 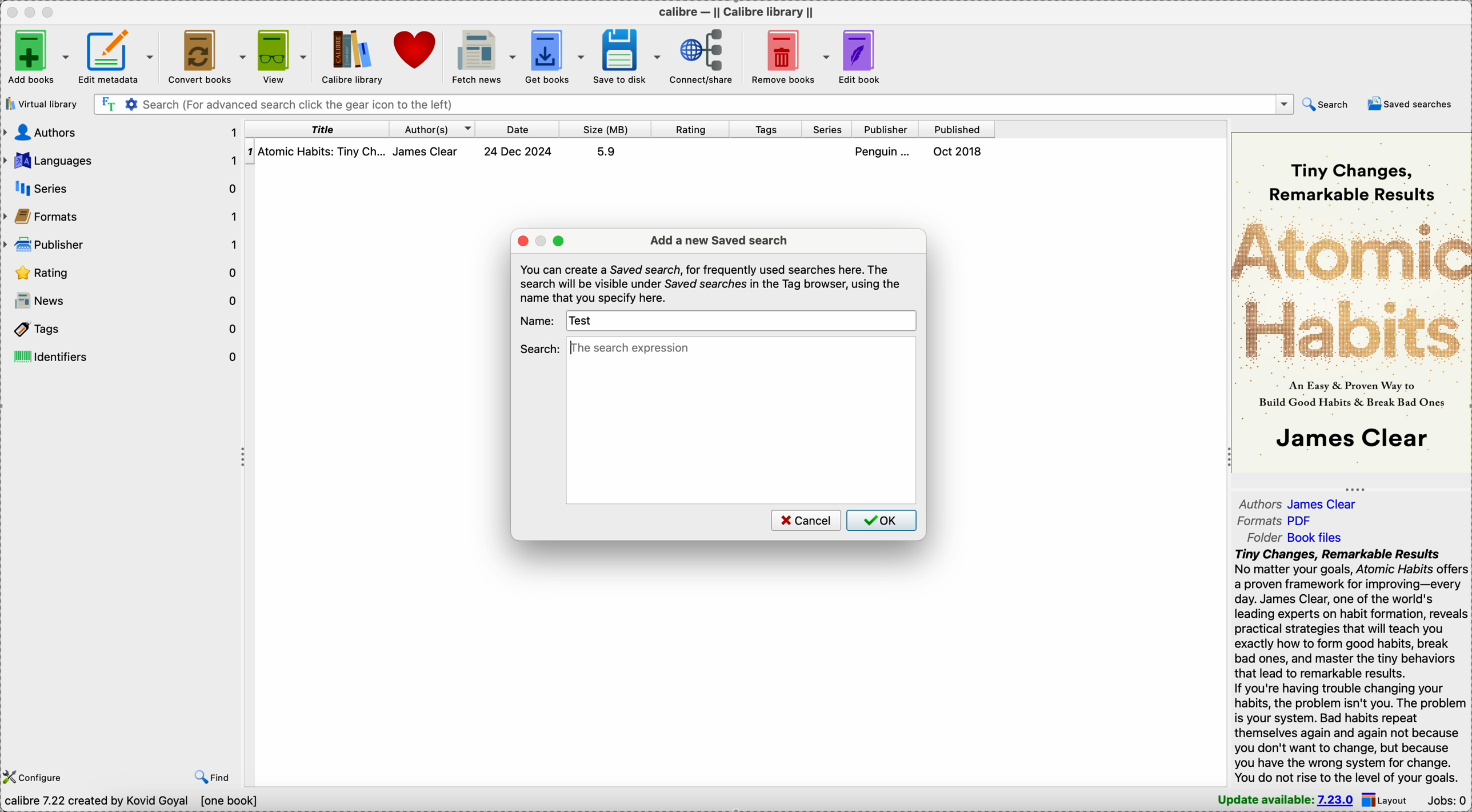 I want to click on cancel, so click(x=805, y=520).